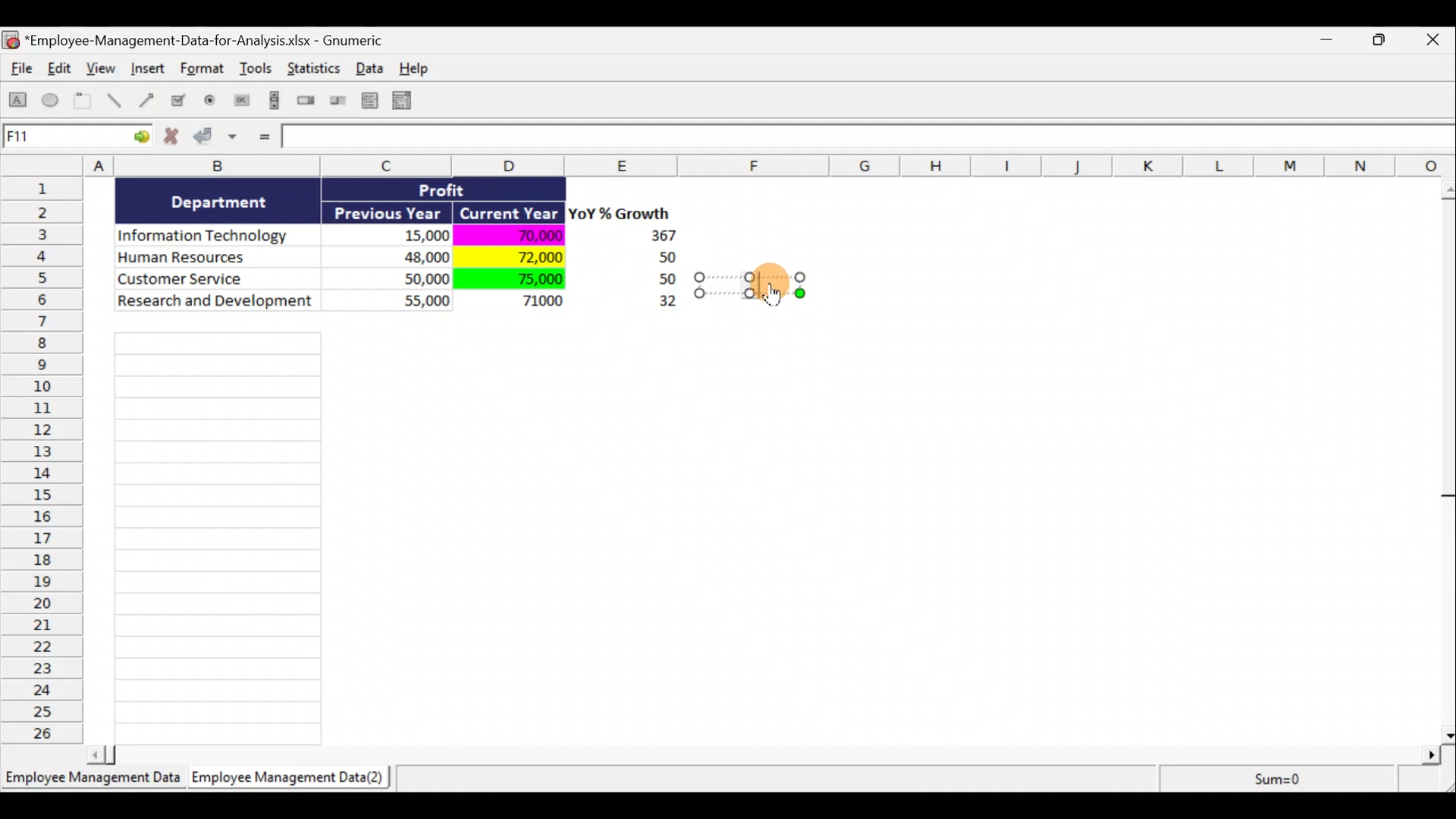 This screenshot has height=819, width=1456. I want to click on Cancel change, so click(176, 140).